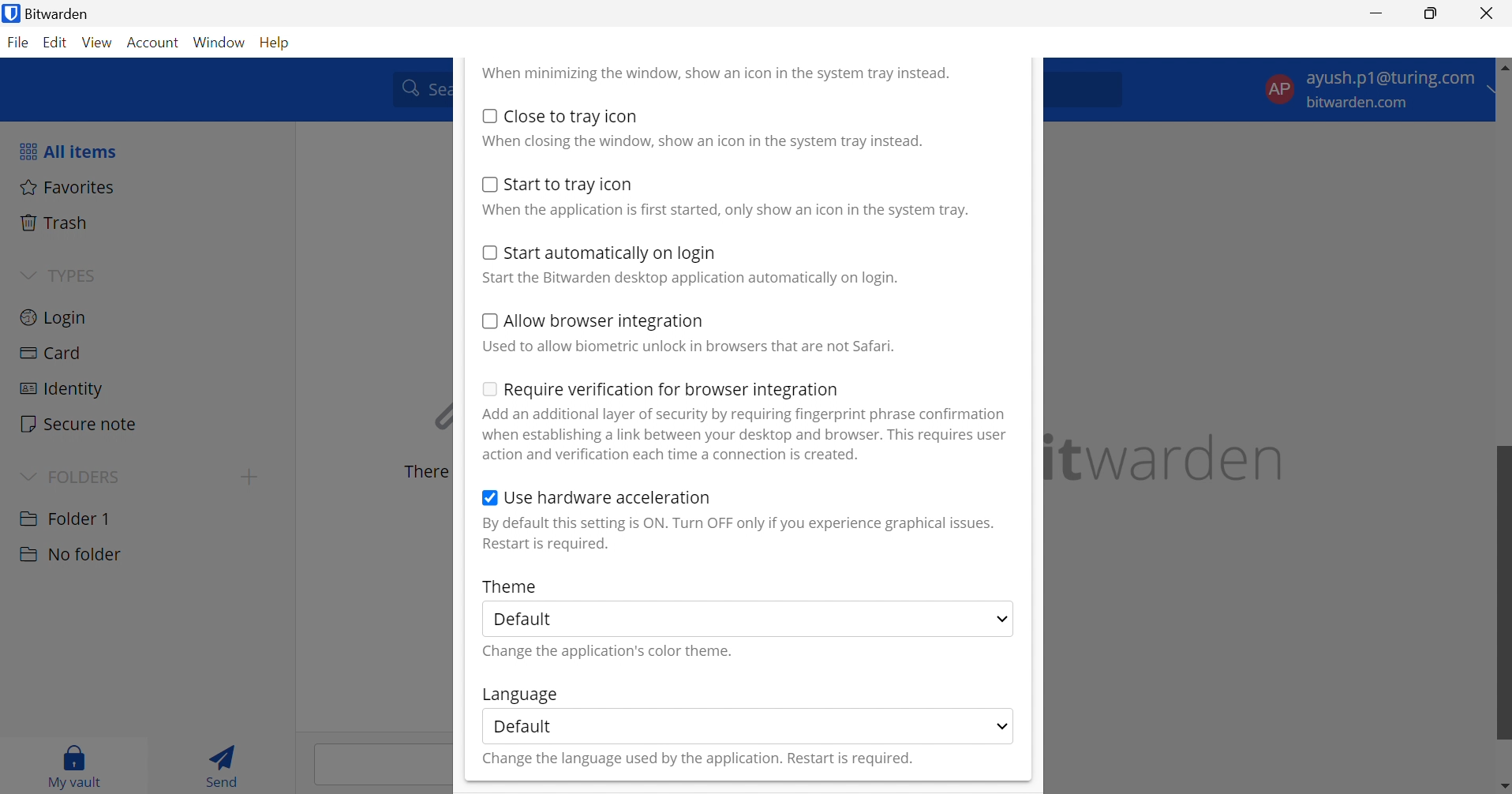 This screenshot has height=794, width=1512. Describe the element at coordinates (422, 472) in the screenshot. I see `There are no items to list.` at that location.